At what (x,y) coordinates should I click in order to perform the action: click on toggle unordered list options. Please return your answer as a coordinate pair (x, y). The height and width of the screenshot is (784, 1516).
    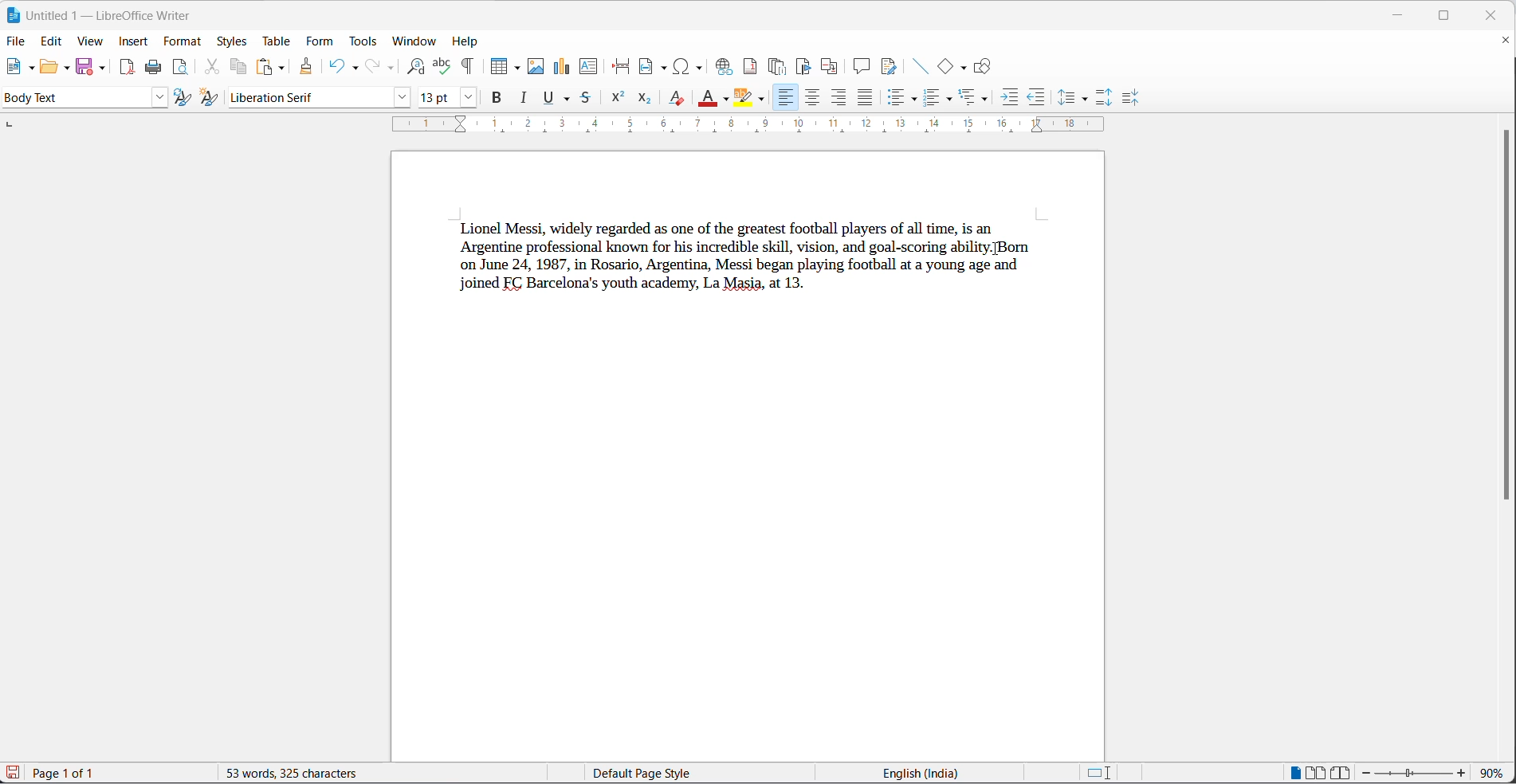
    Looking at the image, I should click on (913, 98).